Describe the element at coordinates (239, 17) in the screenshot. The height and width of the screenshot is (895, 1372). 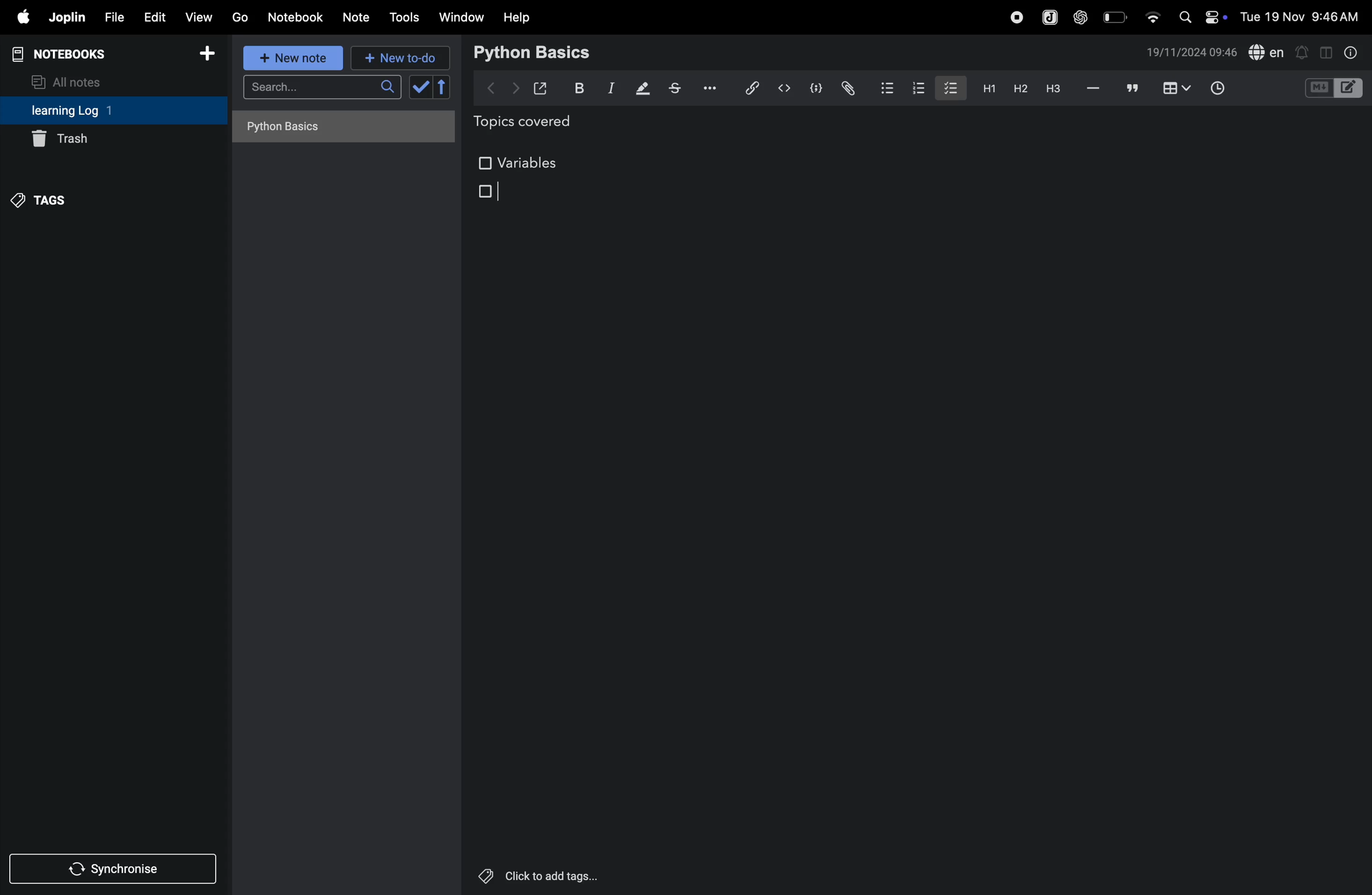
I see `go` at that location.